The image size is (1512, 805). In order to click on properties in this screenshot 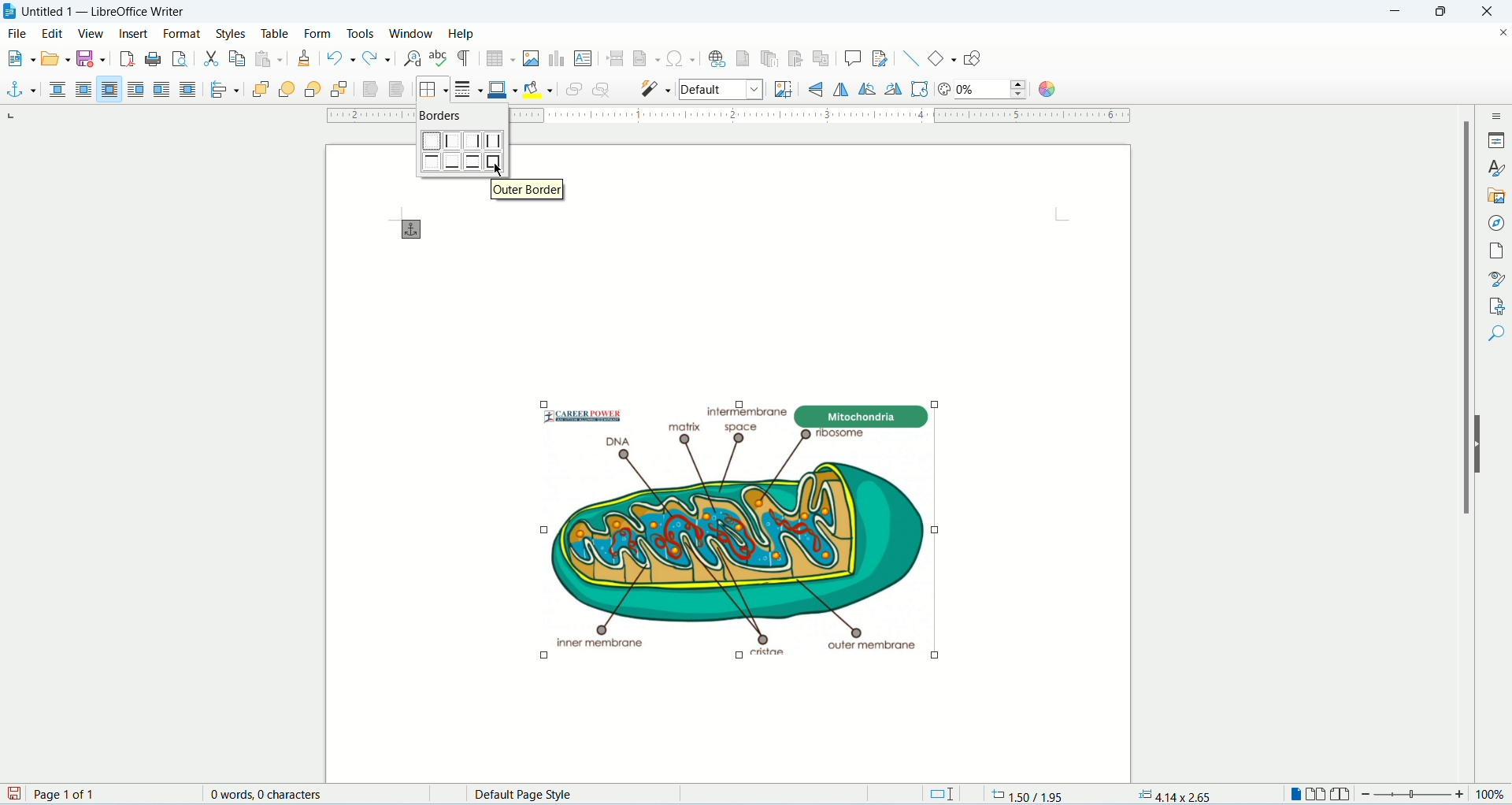, I will do `click(1496, 140)`.